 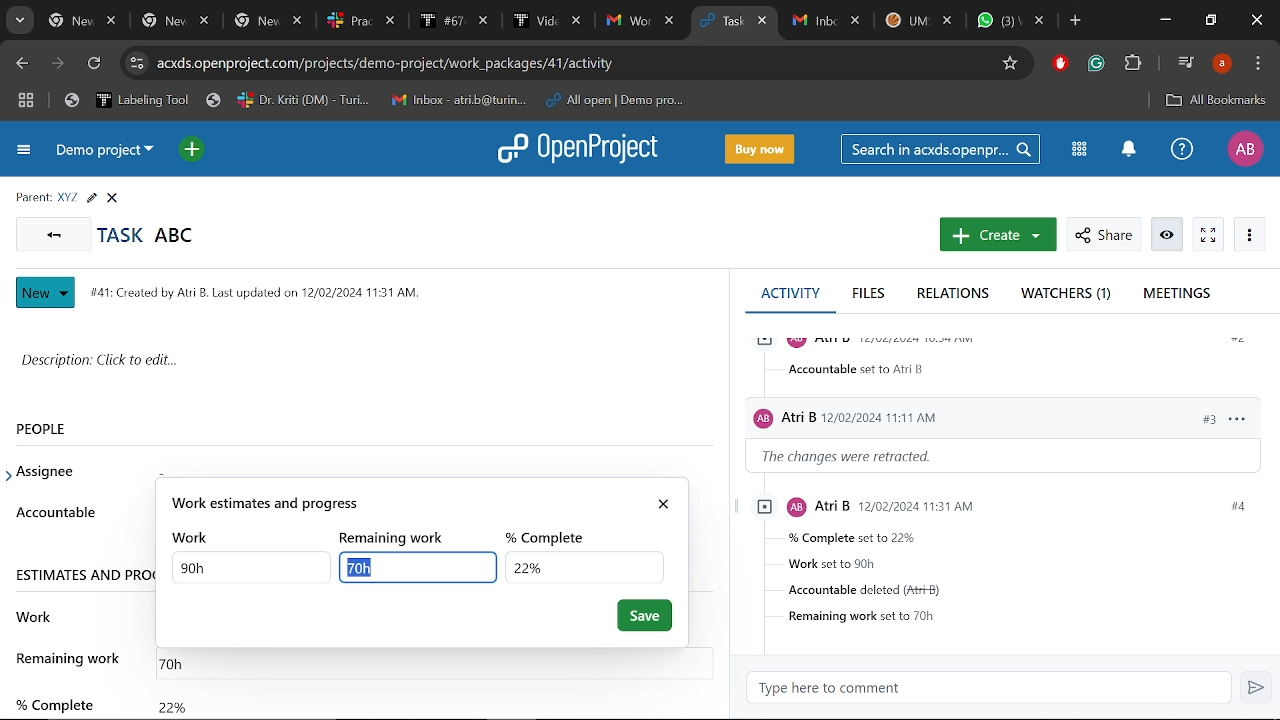 What do you see at coordinates (22, 22) in the screenshot?
I see `Search tabs` at bounding box center [22, 22].